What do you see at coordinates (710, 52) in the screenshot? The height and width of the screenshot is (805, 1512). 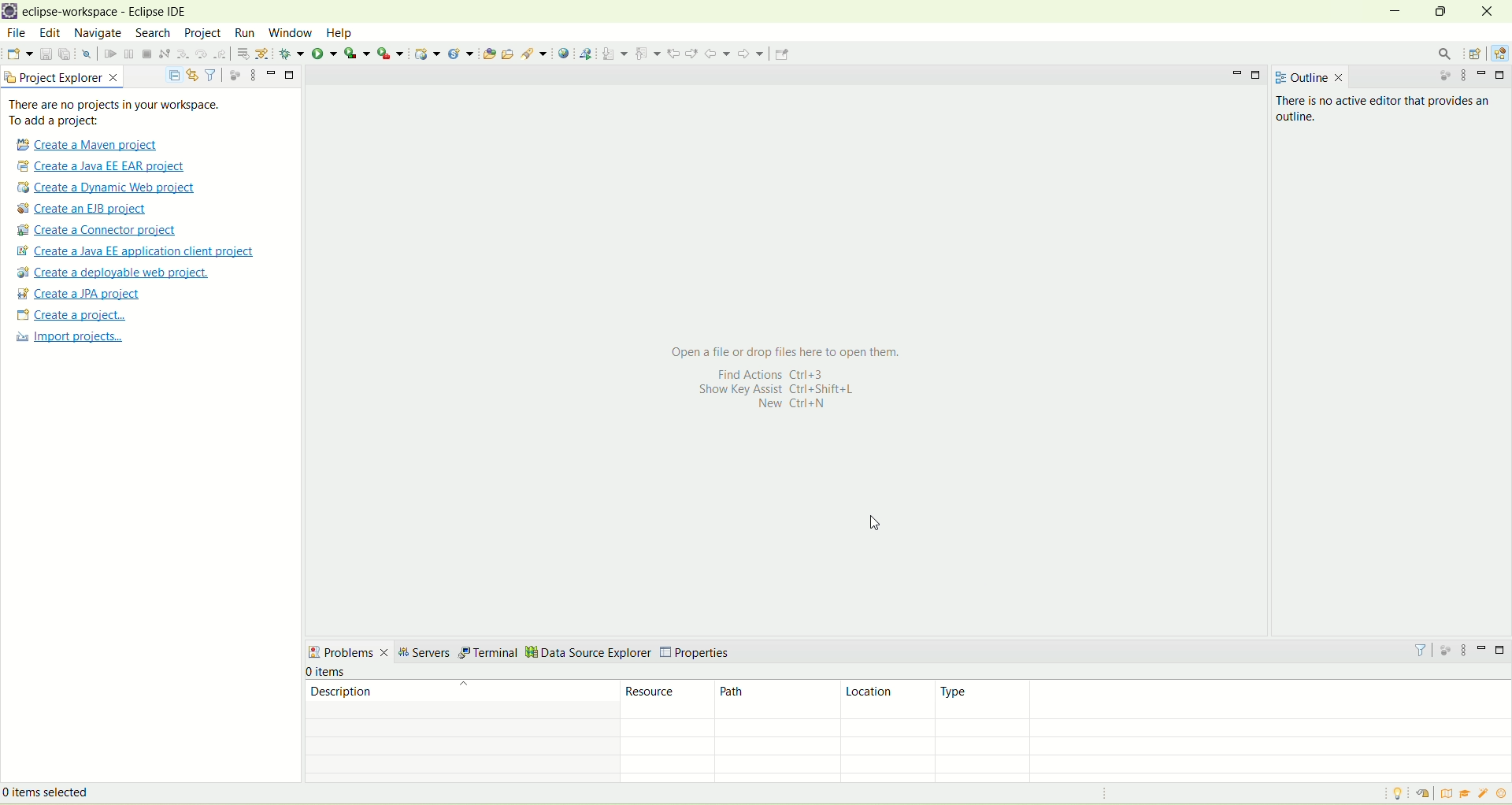 I see `previous annotation` at bounding box center [710, 52].